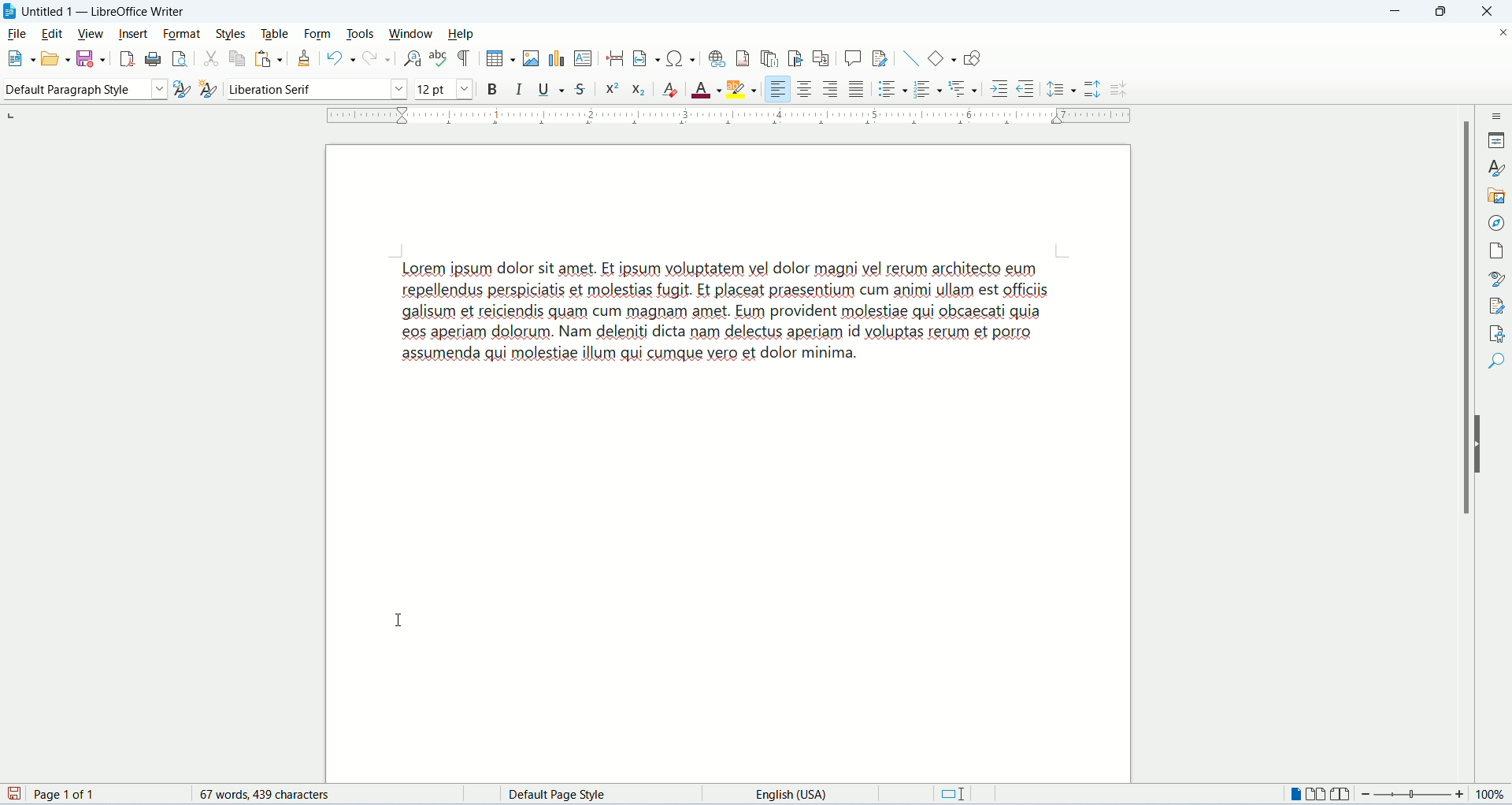 This screenshot has height=805, width=1512. I want to click on increase indent, so click(999, 90).